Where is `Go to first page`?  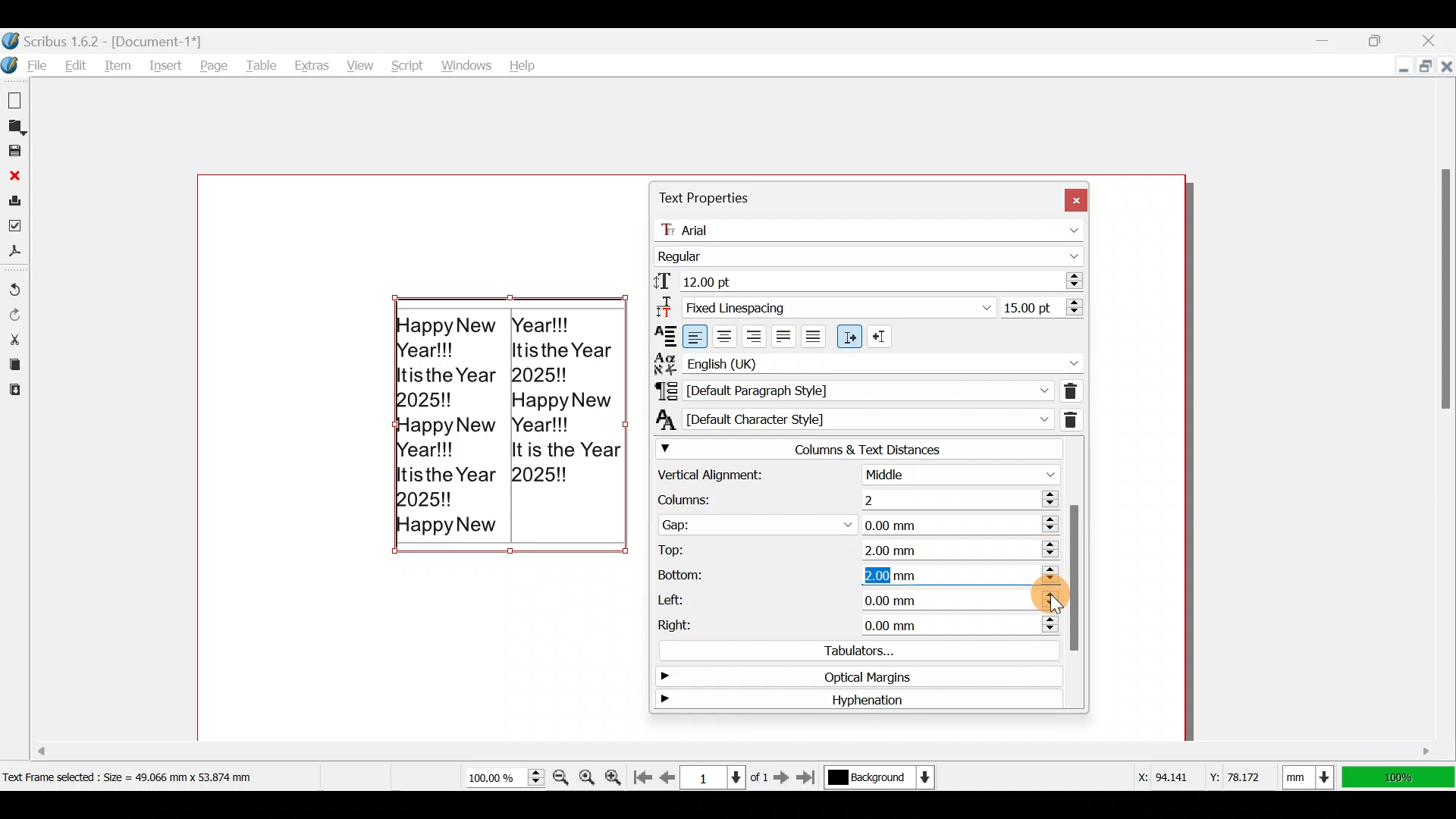
Go to first page is located at coordinates (642, 774).